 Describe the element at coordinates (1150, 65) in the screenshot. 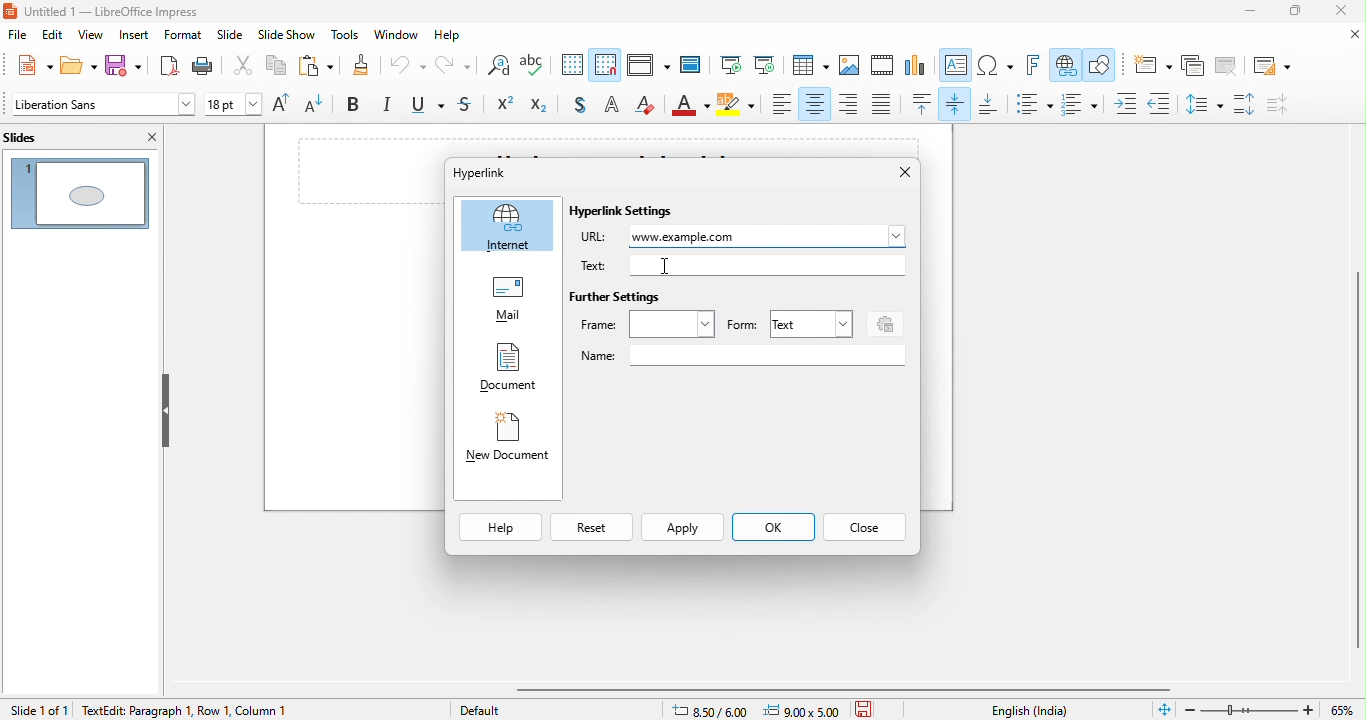

I see `new slide` at that location.